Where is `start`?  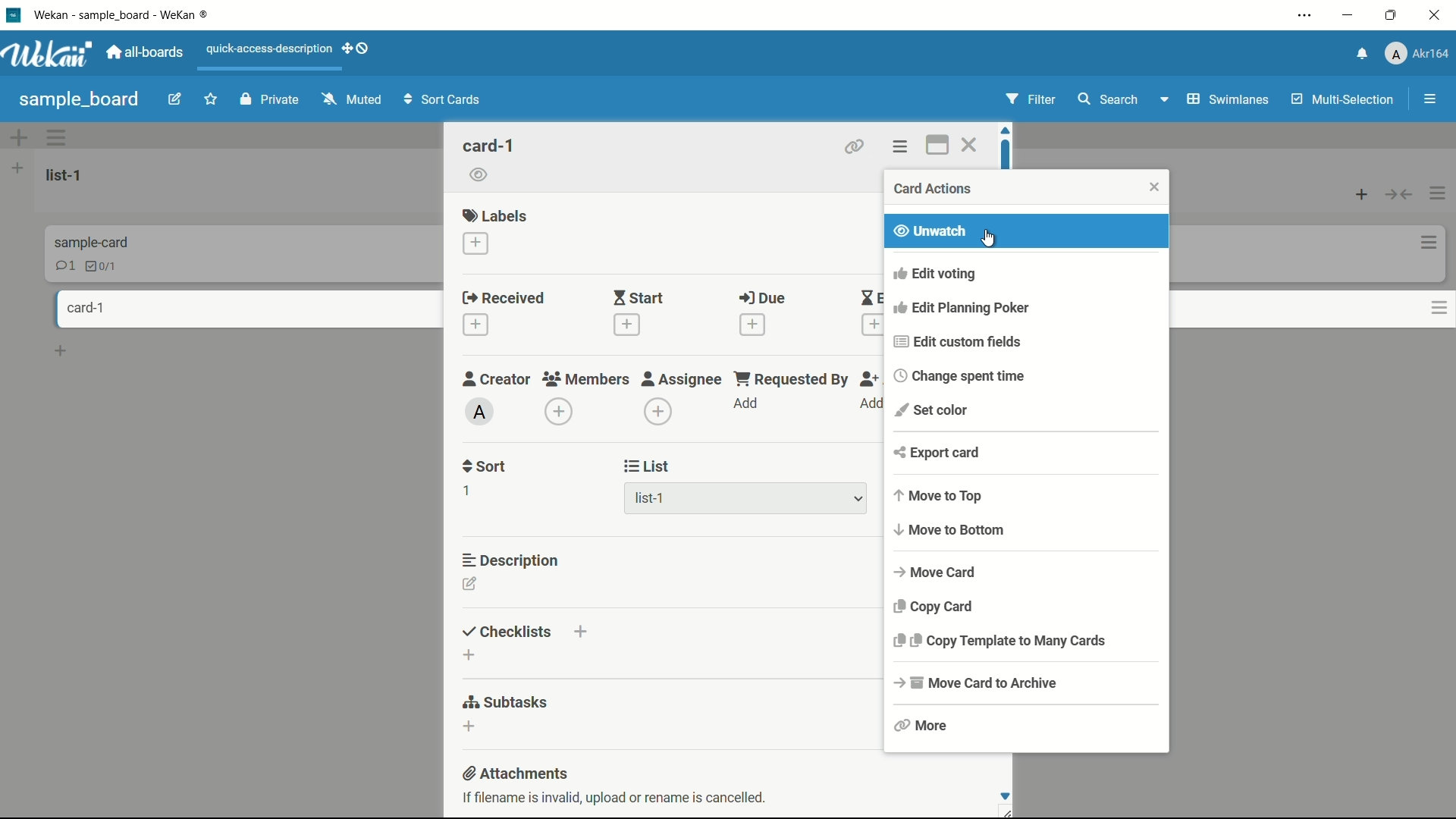
start is located at coordinates (639, 297).